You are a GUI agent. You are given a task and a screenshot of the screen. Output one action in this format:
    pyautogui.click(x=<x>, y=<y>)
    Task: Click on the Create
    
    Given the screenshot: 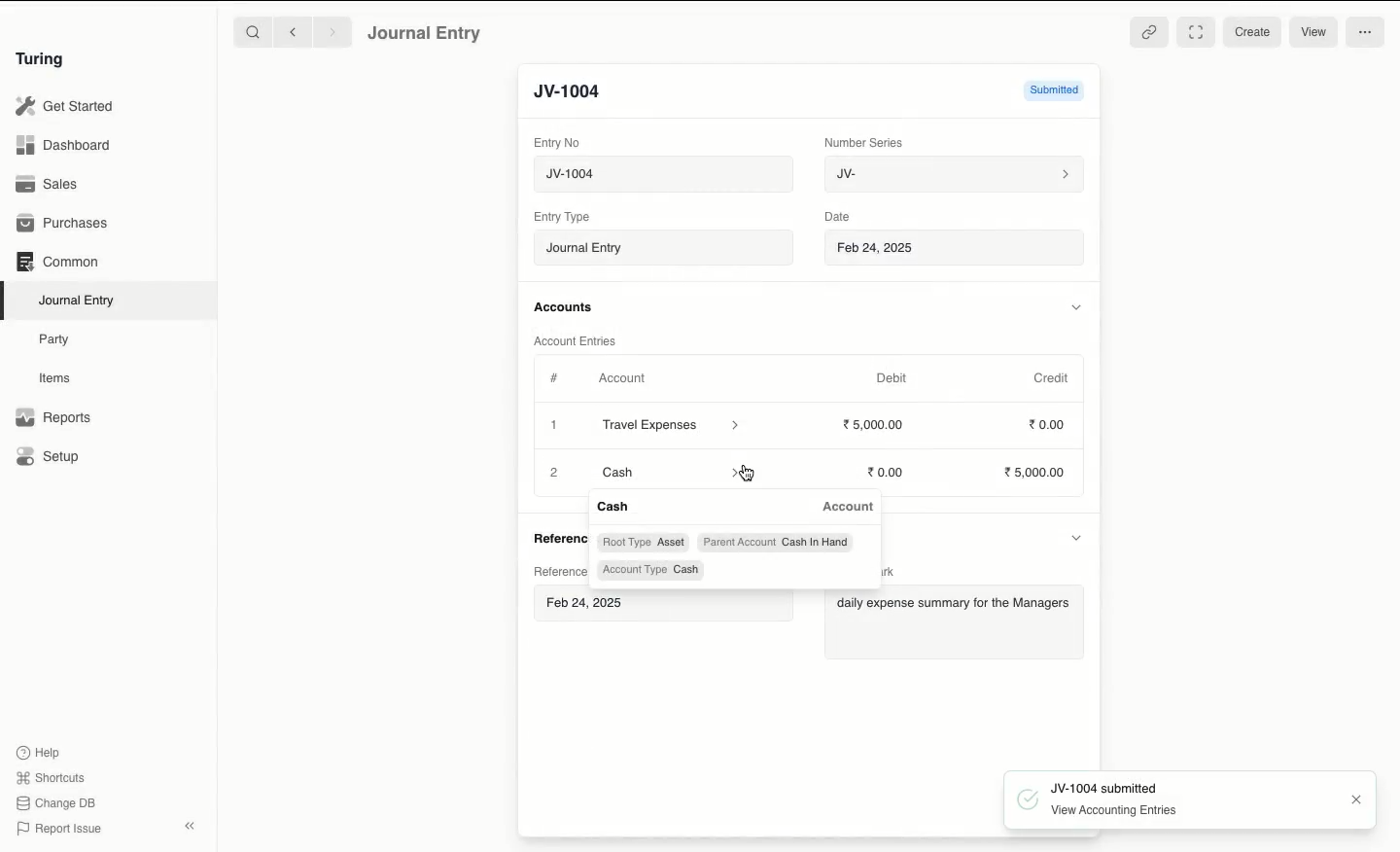 What is the action you would take?
    pyautogui.click(x=1253, y=33)
    